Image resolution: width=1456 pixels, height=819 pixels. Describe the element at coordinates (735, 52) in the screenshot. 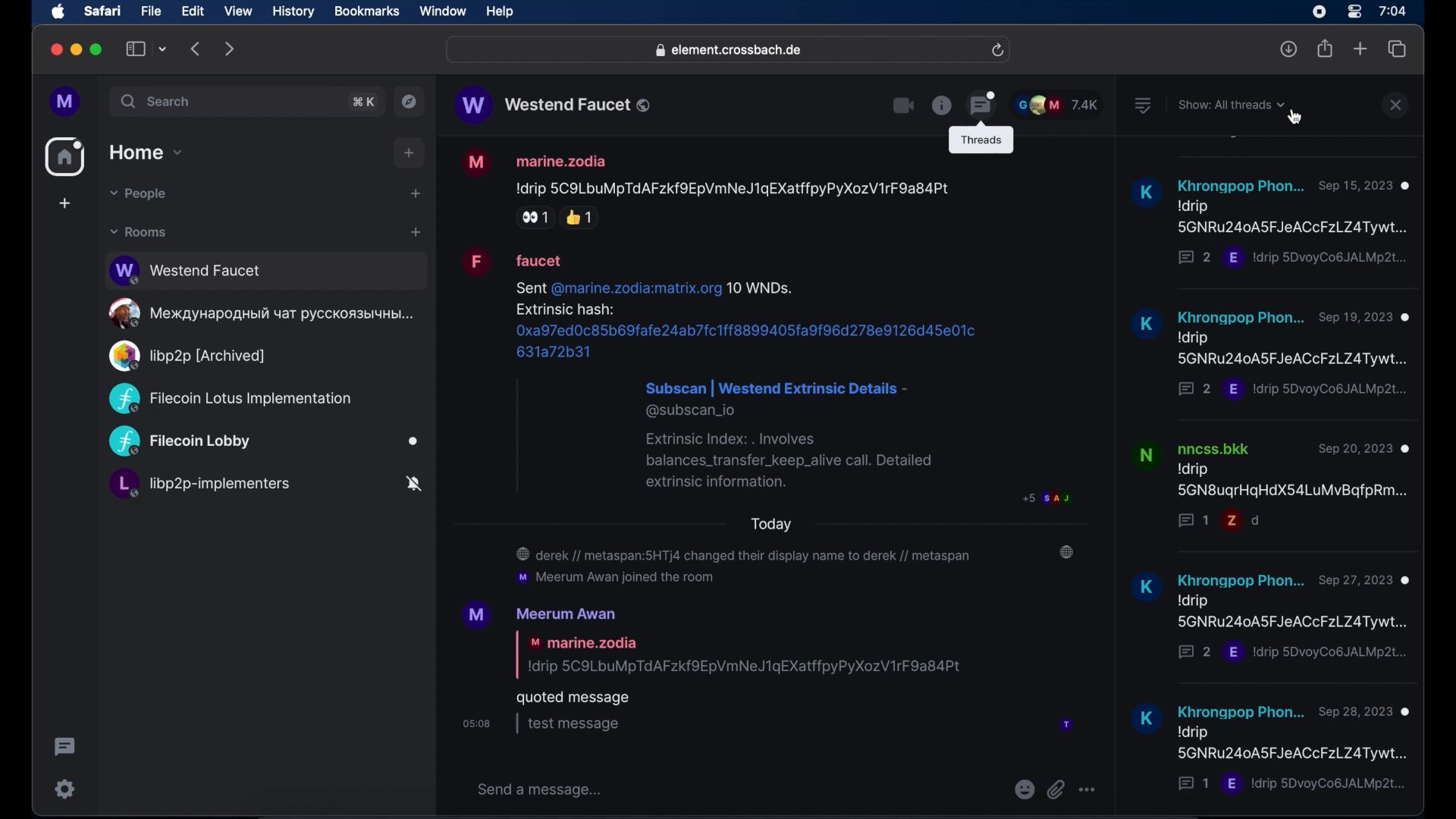

I see `element.crossbach.de` at that location.